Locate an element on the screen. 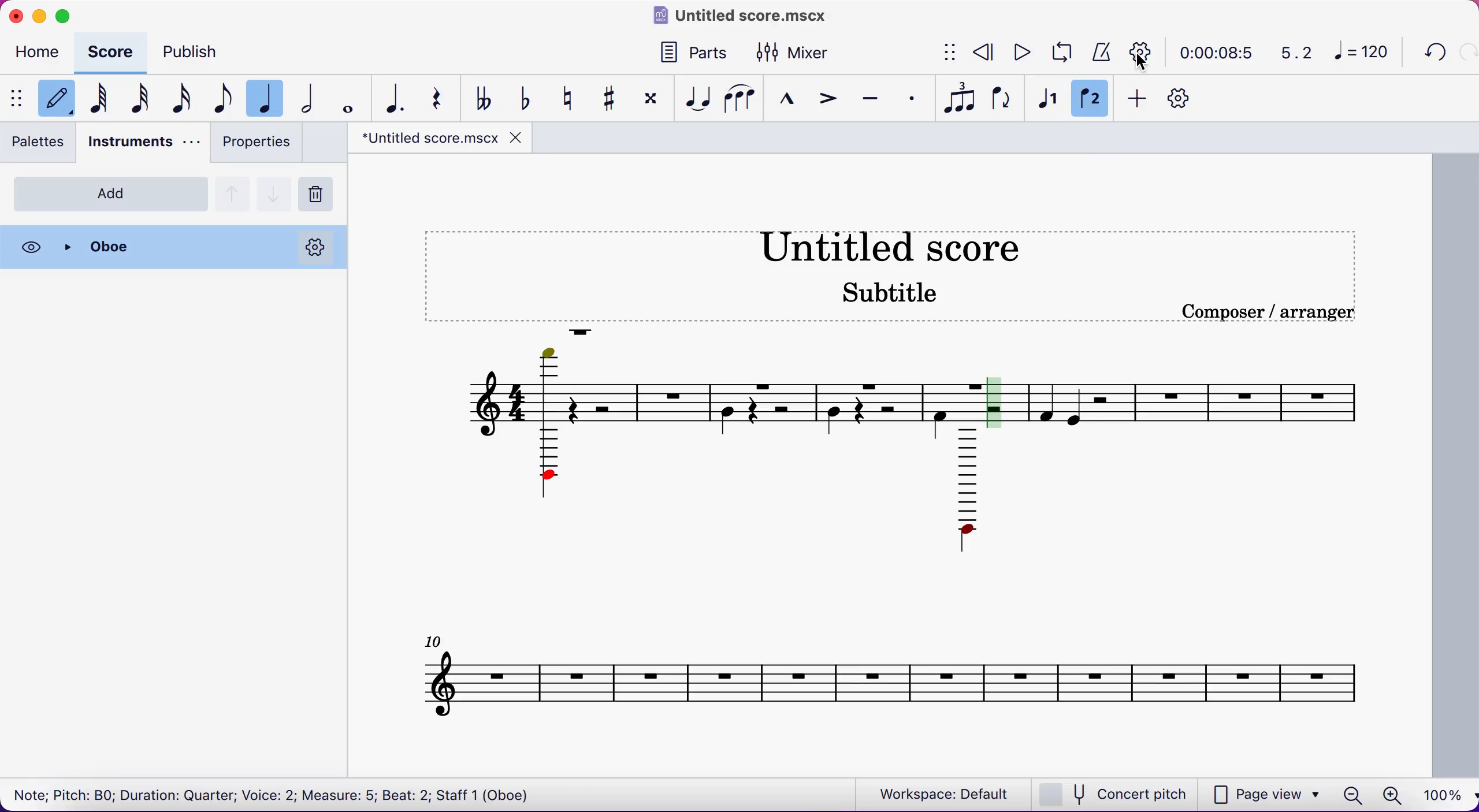  Note; Pitch: BO; Duration: Quarter; Voice: 2; Measure: 5; Beat: 2; Staff 1 (Oboe) is located at coordinates (274, 792).